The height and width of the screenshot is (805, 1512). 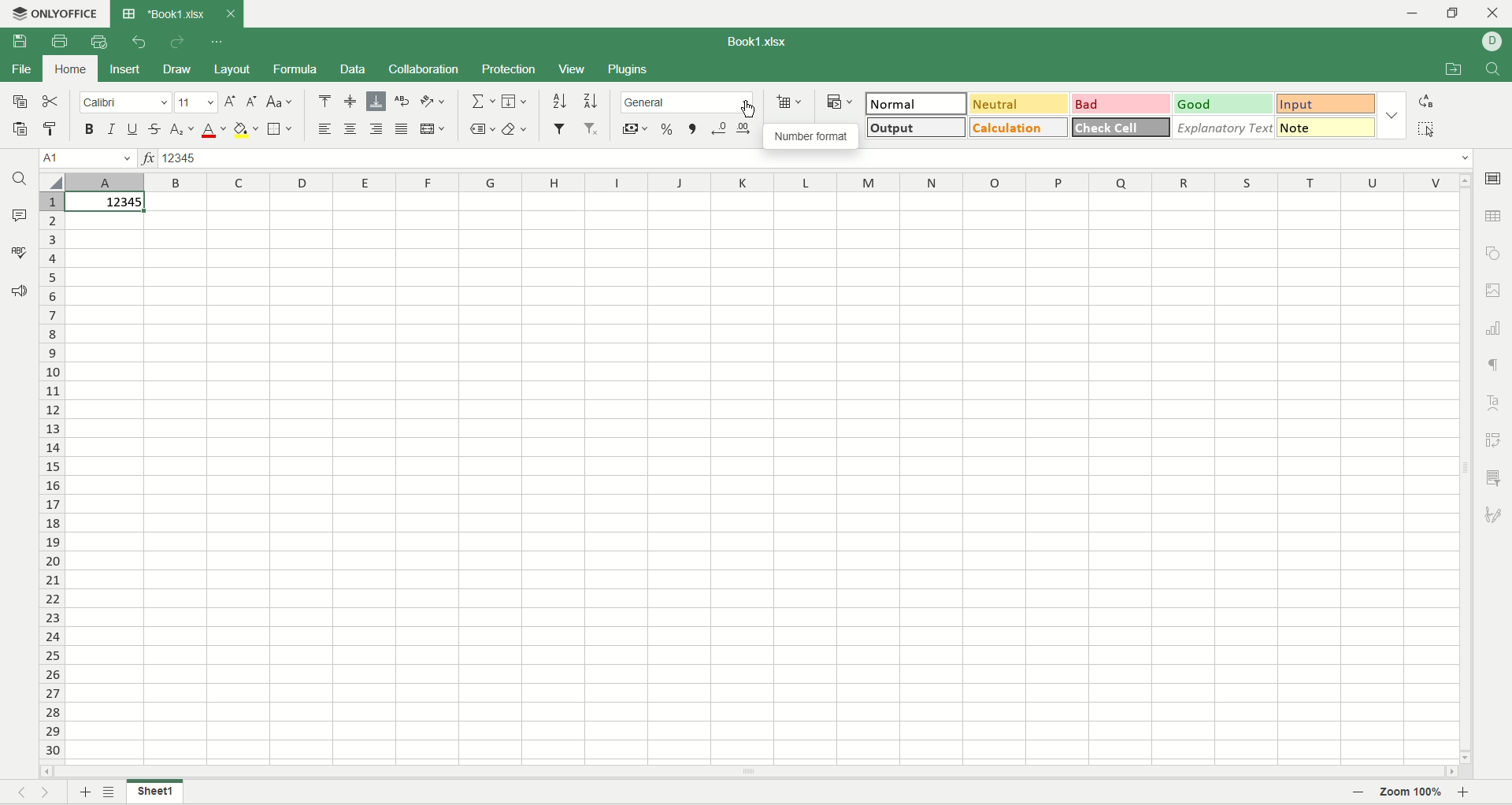 What do you see at coordinates (26, 43) in the screenshot?
I see `save` at bounding box center [26, 43].